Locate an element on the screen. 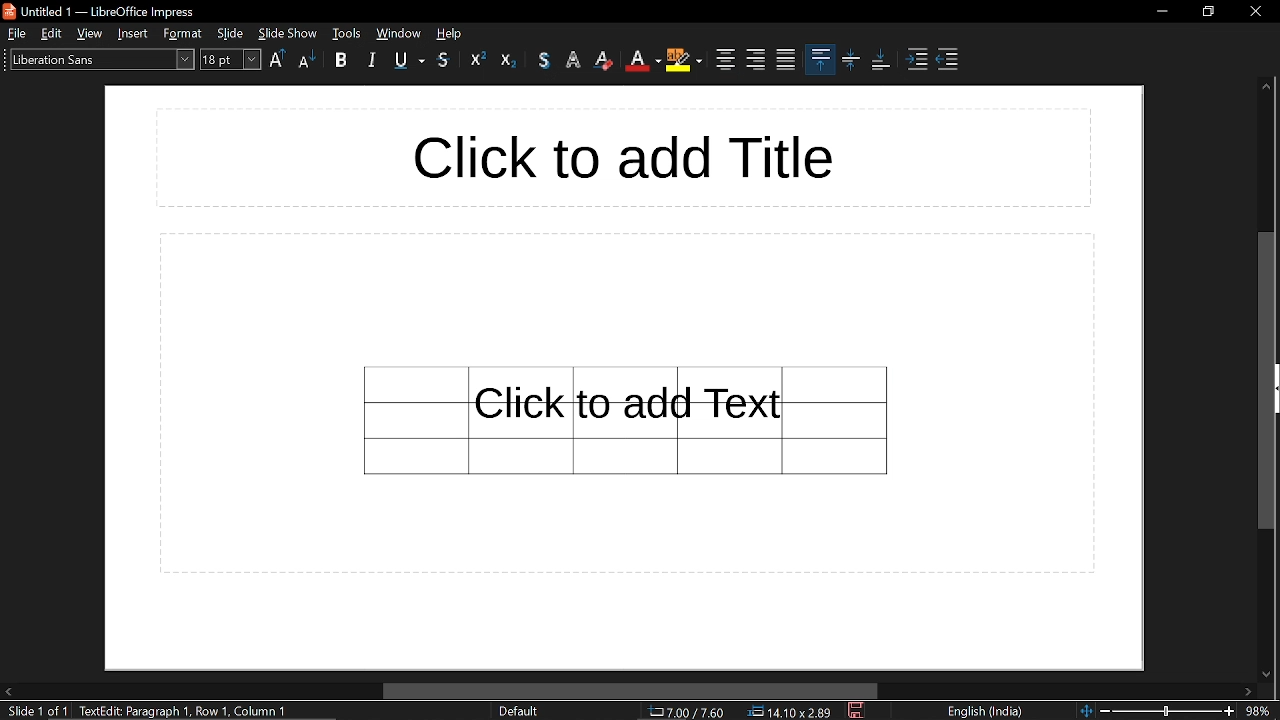 This screenshot has width=1280, height=720. view is located at coordinates (91, 33).